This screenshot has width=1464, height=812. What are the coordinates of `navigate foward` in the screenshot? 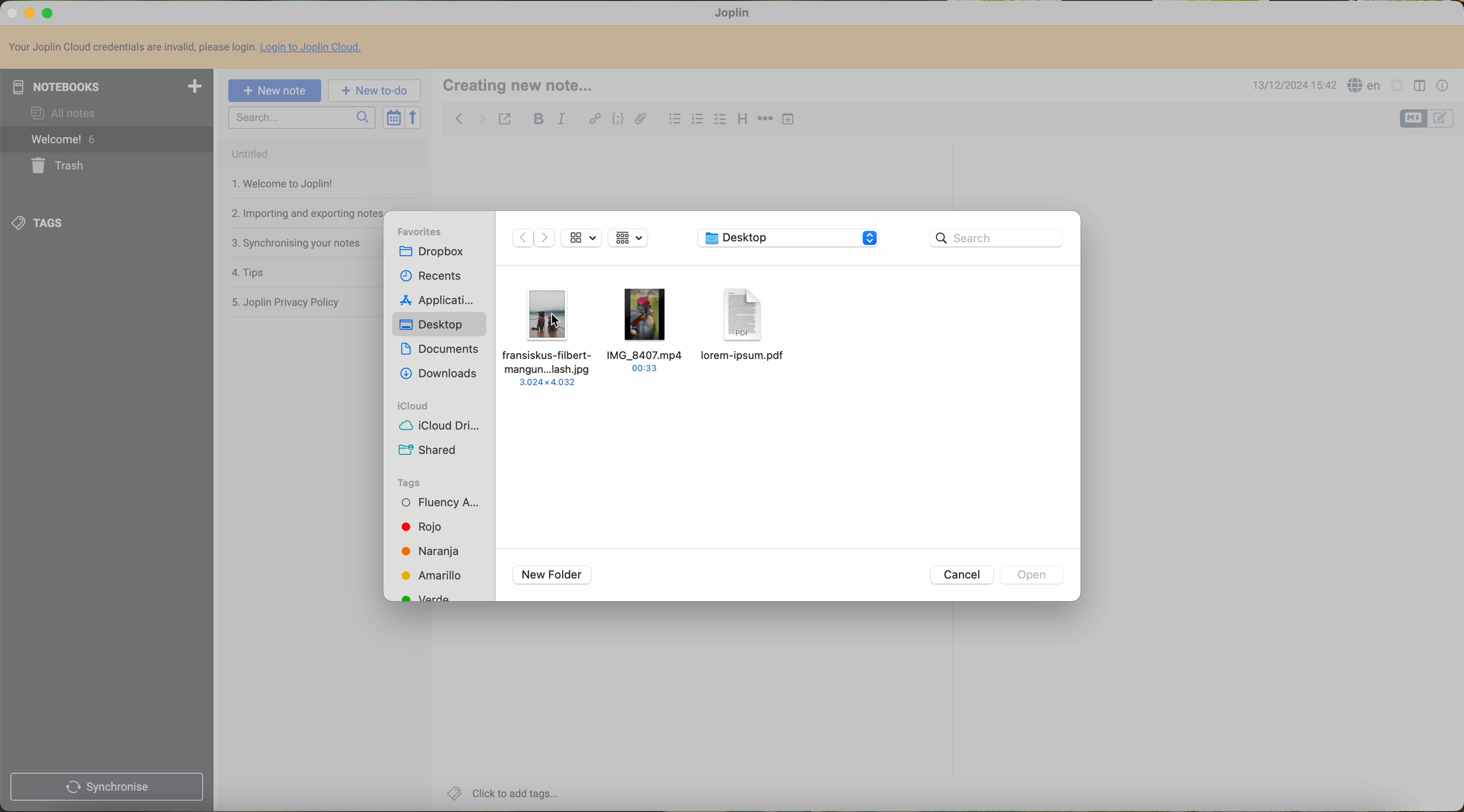 It's located at (482, 119).